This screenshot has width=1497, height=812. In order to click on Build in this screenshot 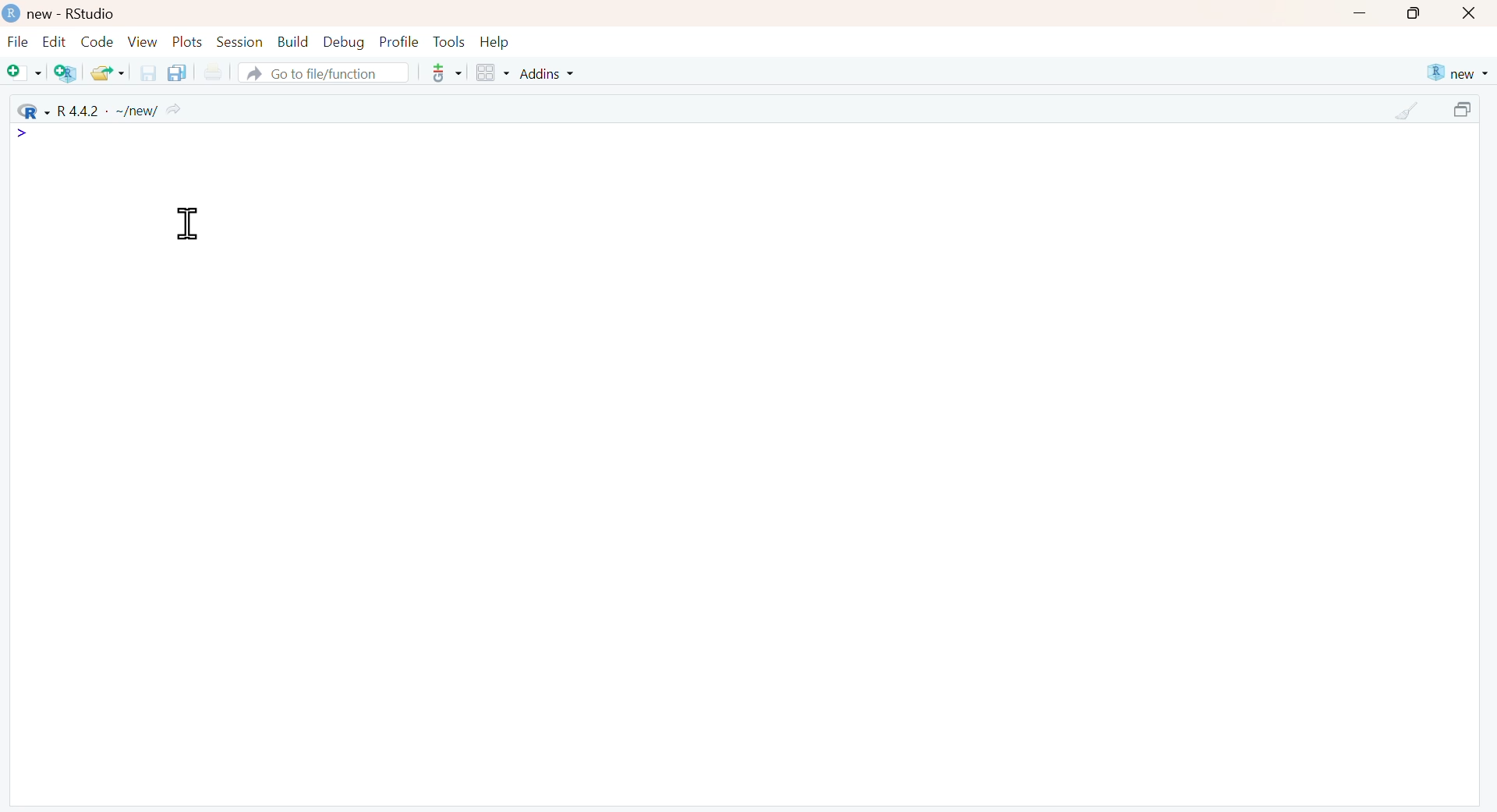, I will do `click(294, 42)`.